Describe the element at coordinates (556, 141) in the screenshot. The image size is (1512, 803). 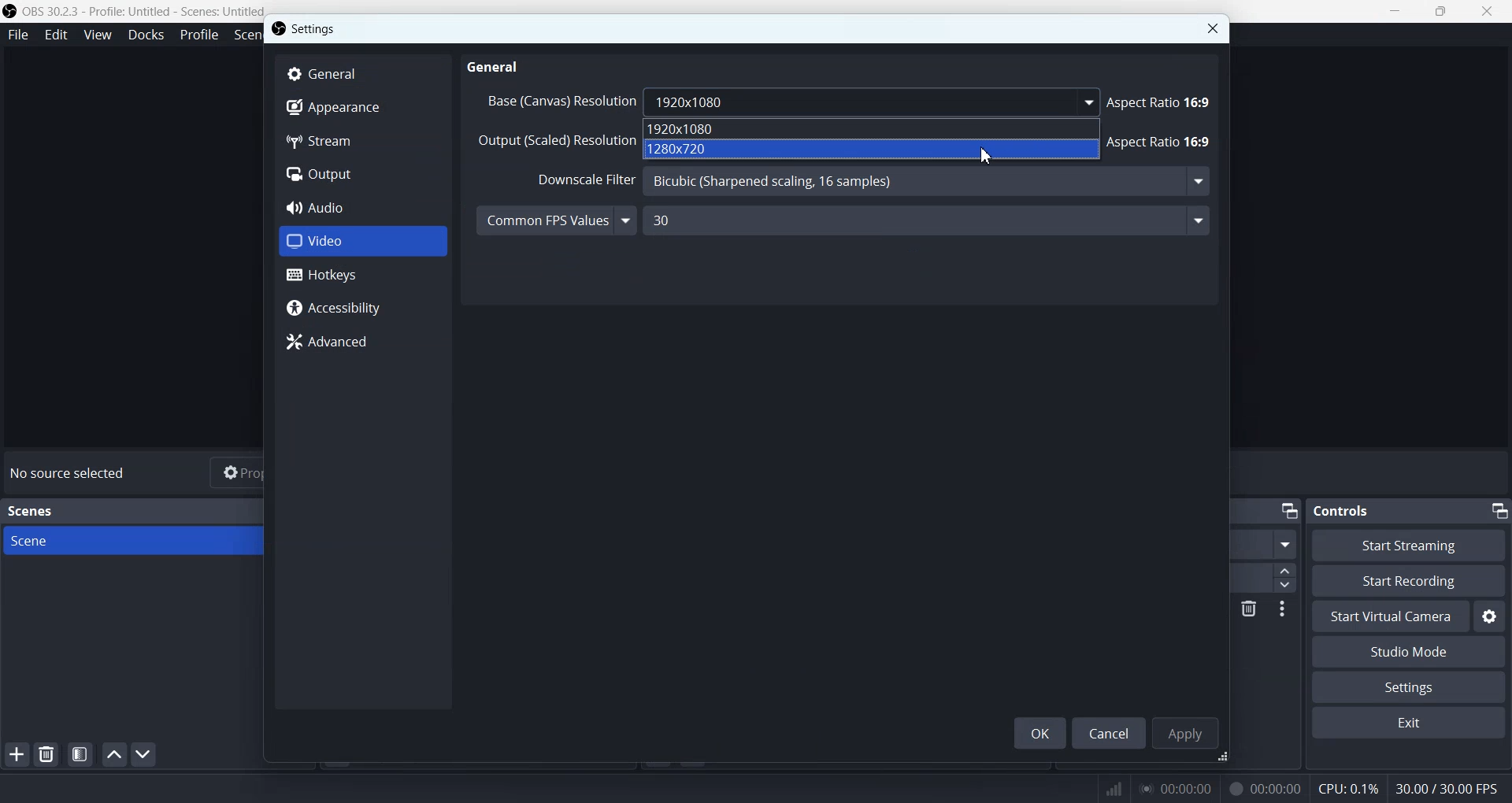
I see `Output (Scaled) Resolution` at that location.